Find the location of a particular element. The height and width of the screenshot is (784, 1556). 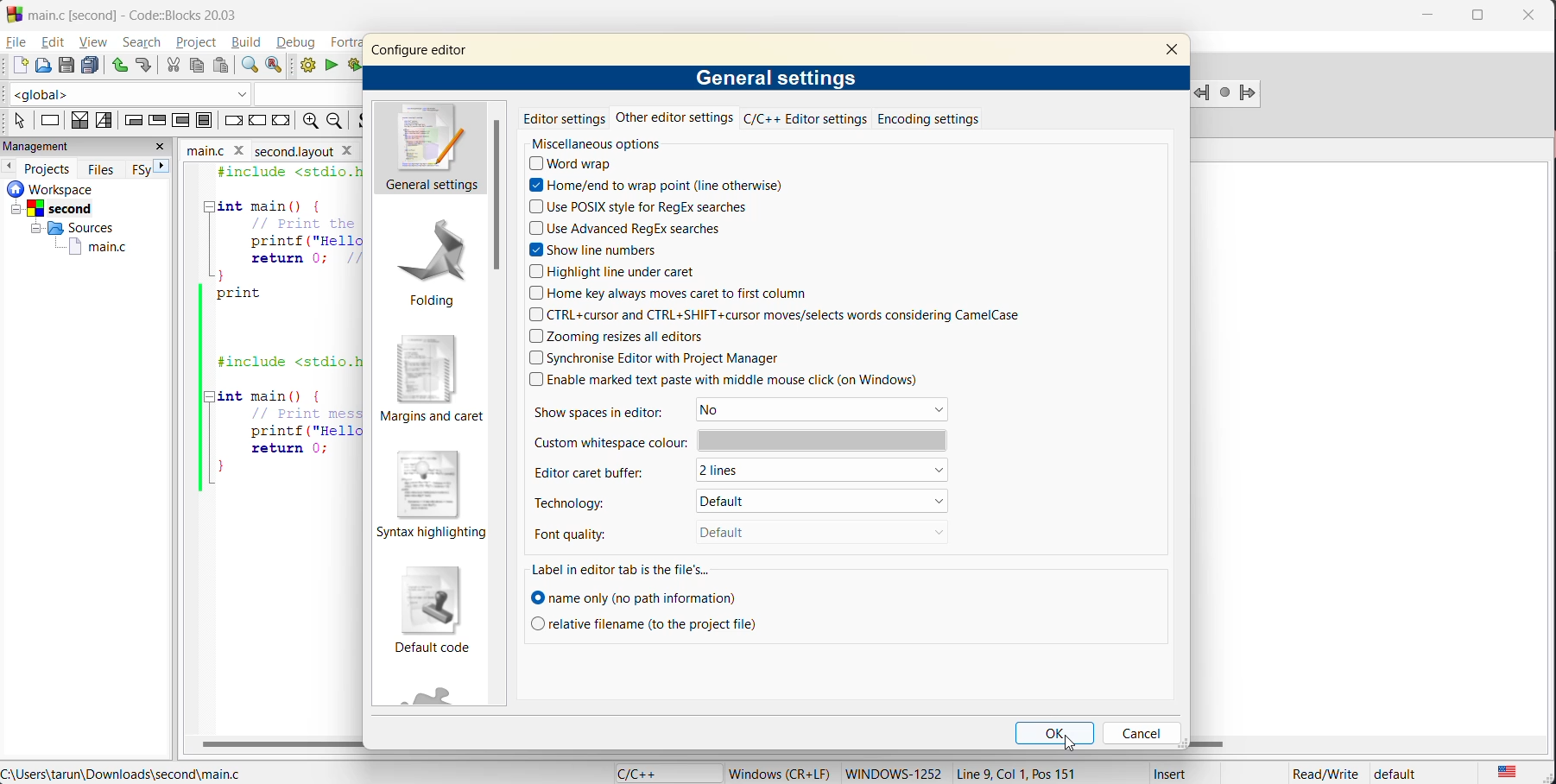

font quality is located at coordinates (587, 534).